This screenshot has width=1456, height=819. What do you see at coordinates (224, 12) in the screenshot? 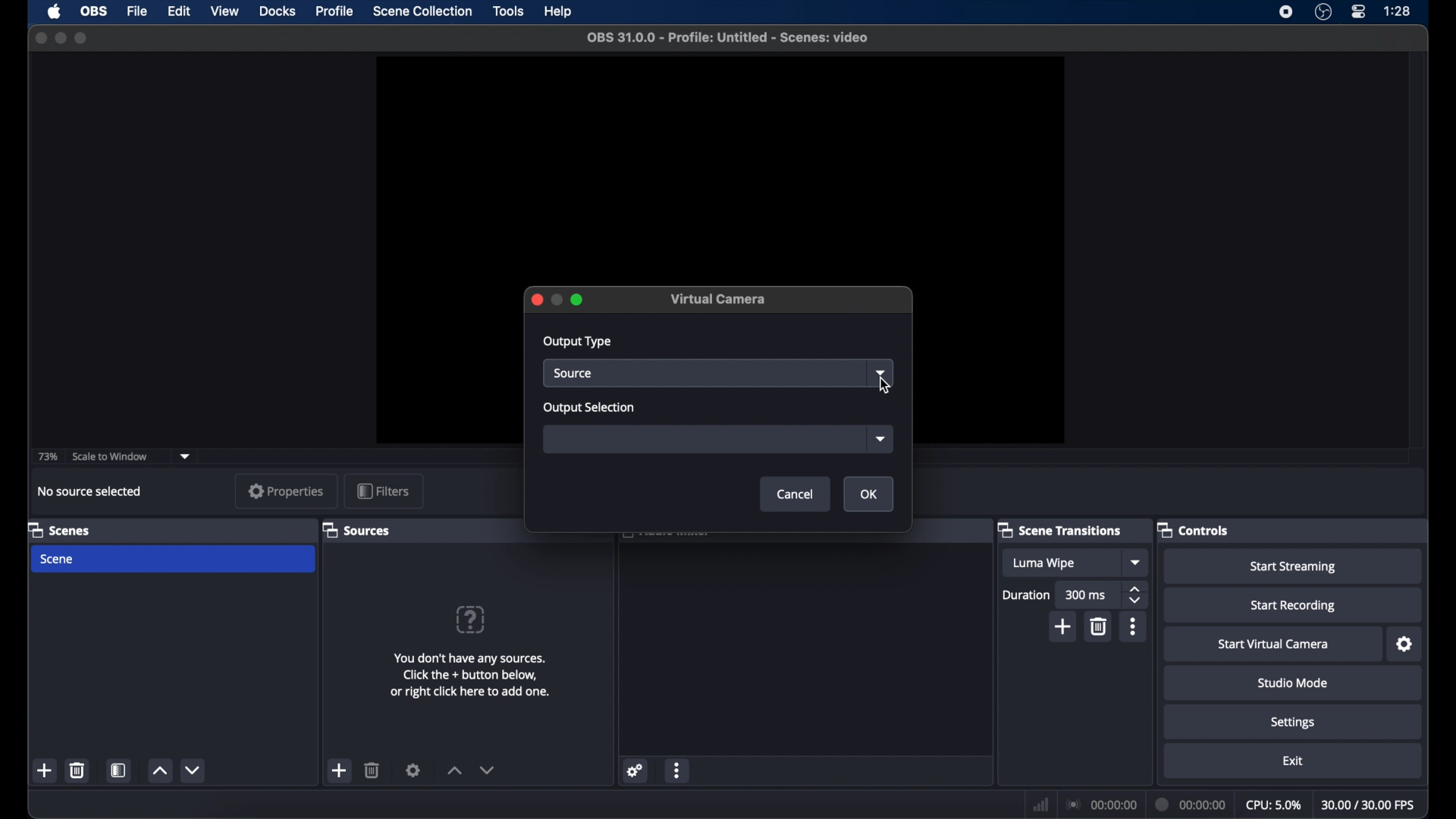
I see `view` at bounding box center [224, 12].